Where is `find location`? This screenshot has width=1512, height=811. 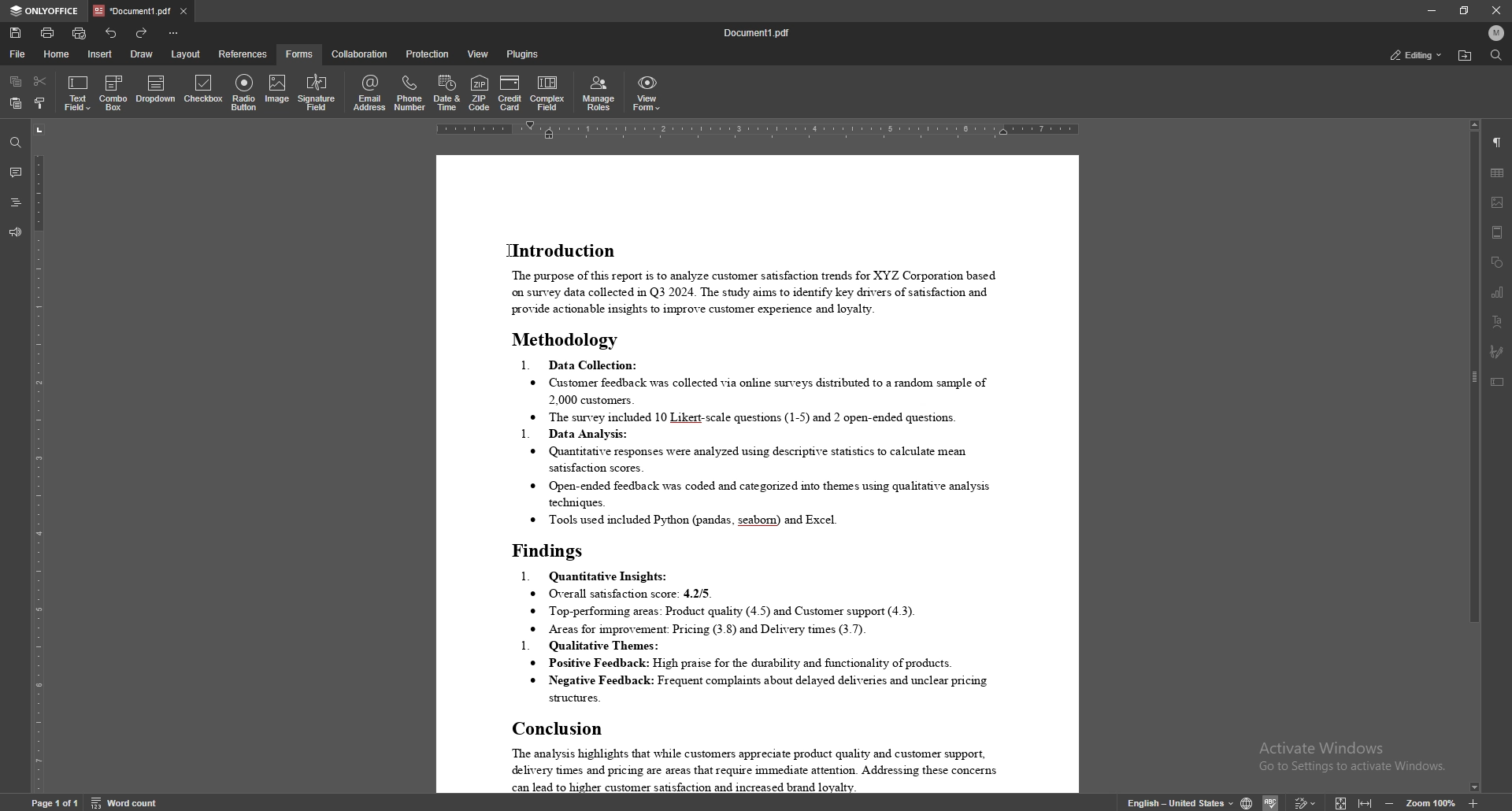 find location is located at coordinates (1466, 56).